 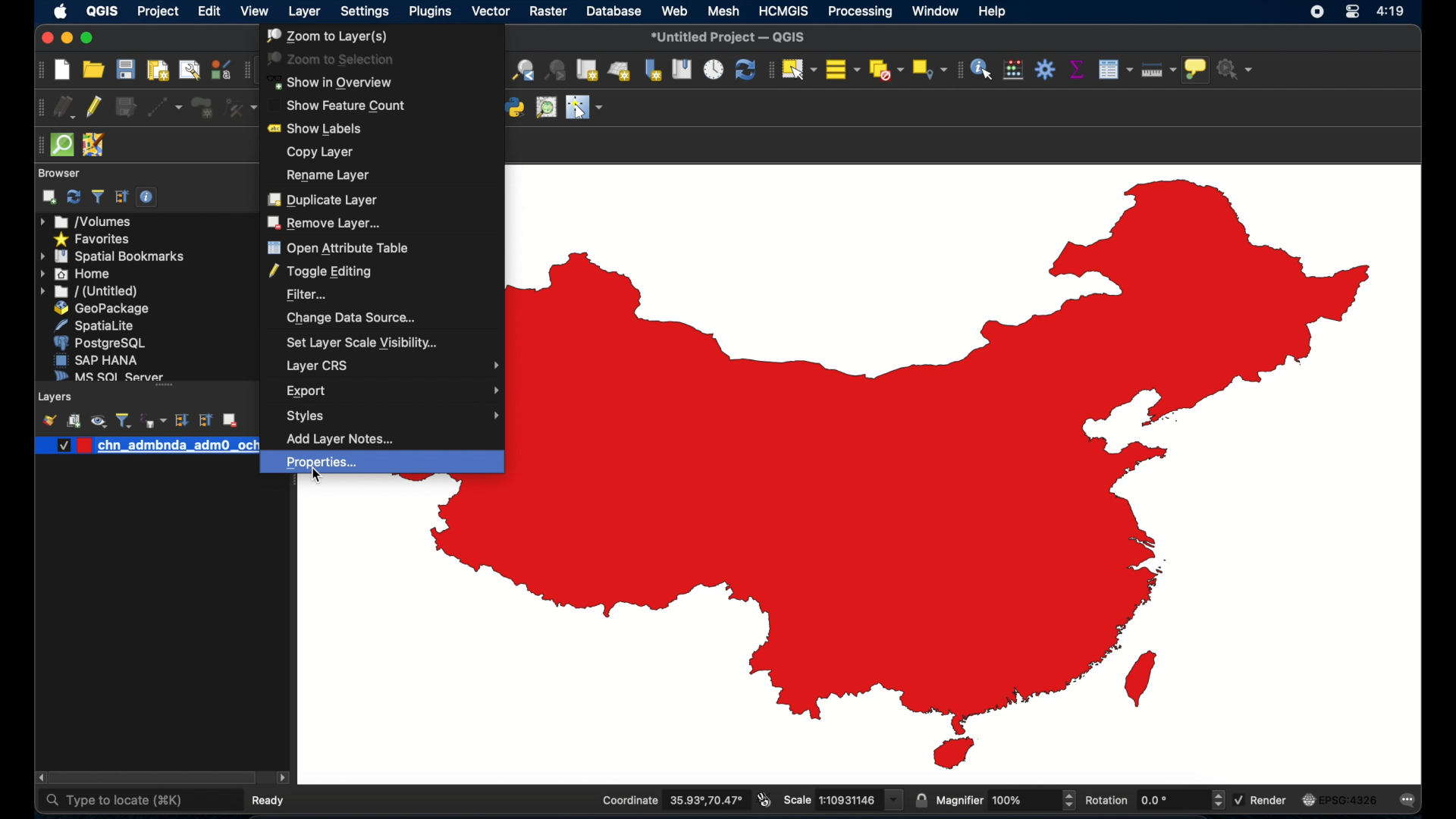 What do you see at coordinates (122, 197) in the screenshot?
I see `collapse all` at bounding box center [122, 197].